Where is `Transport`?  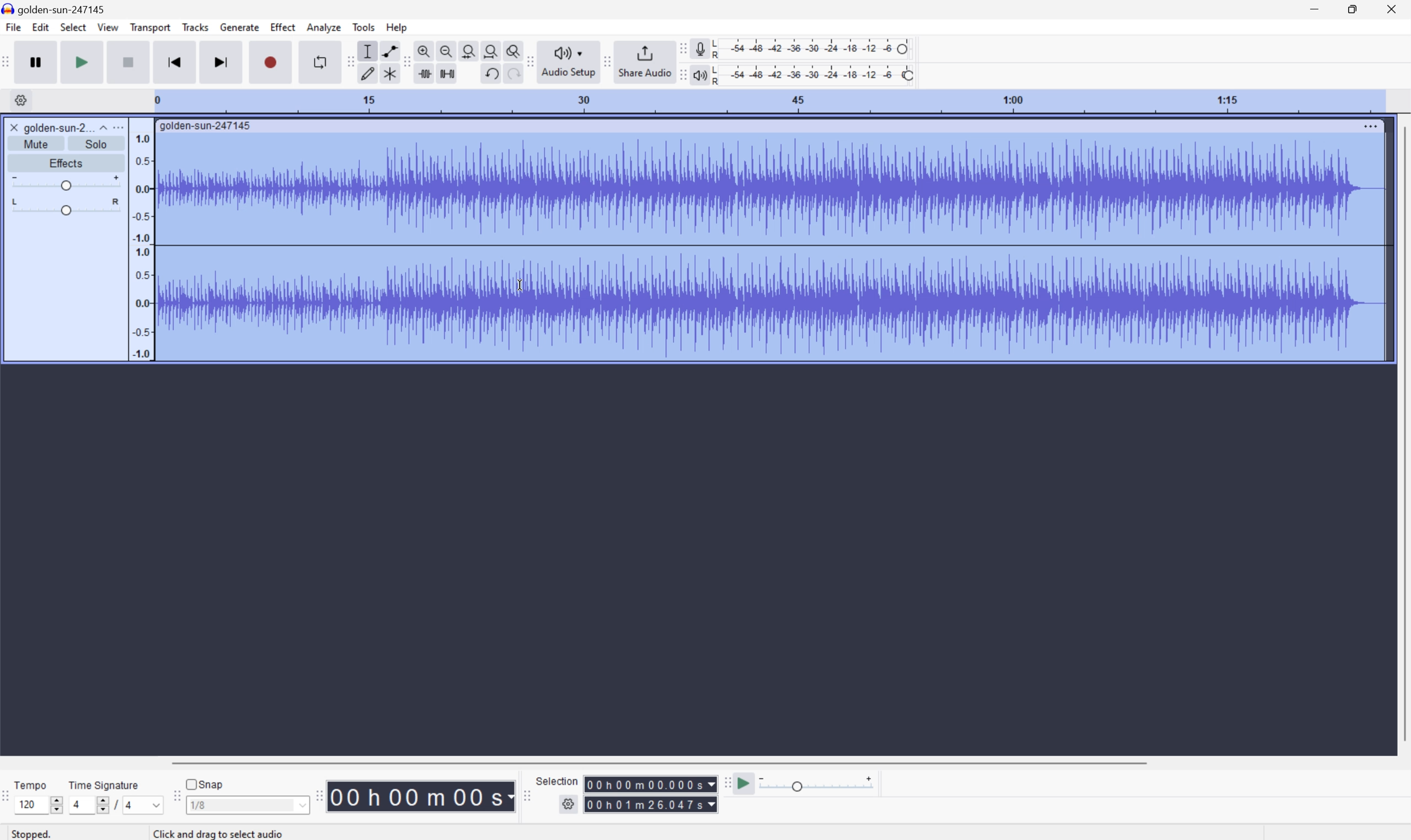
Transport is located at coordinates (151, 28).